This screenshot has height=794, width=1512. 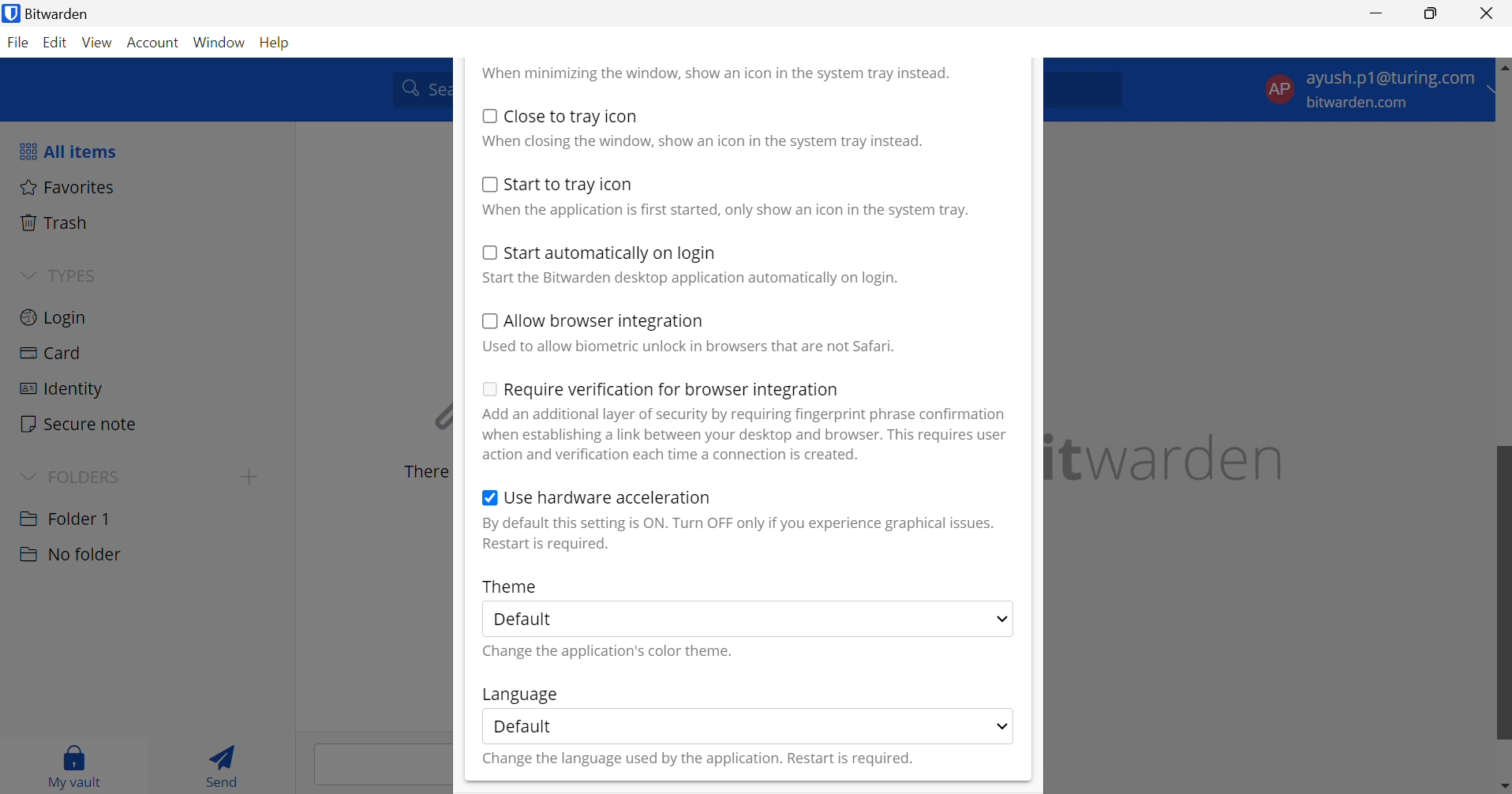 What do you see at coordinates (1361, 103) in the screenshot?
I see `bitwarden.com` at bounding box center [1361, 103].